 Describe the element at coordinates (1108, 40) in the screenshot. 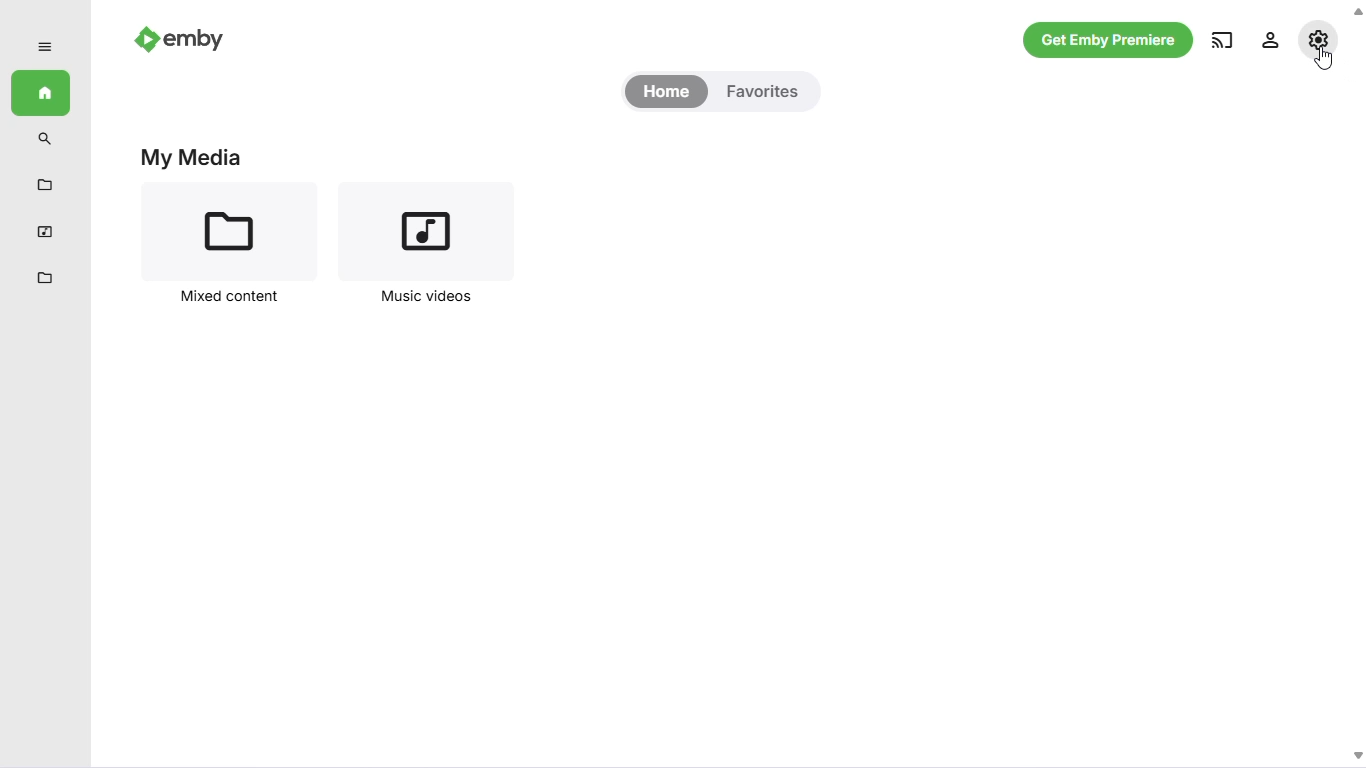

I see `get emby premiere` at that location.